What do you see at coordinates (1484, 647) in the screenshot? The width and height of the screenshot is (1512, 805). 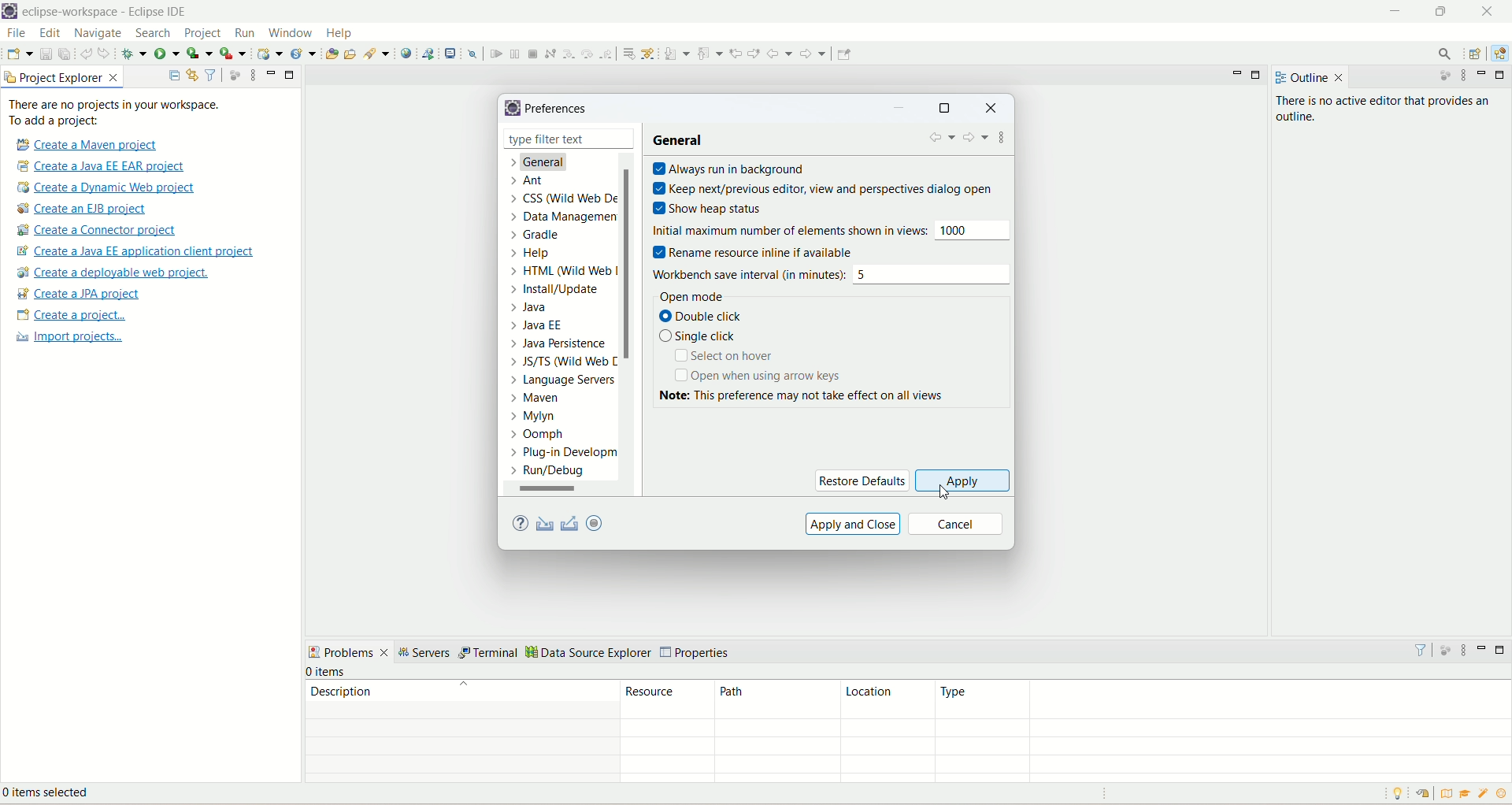 I see `minimize` at bounding box center [1484, 647].